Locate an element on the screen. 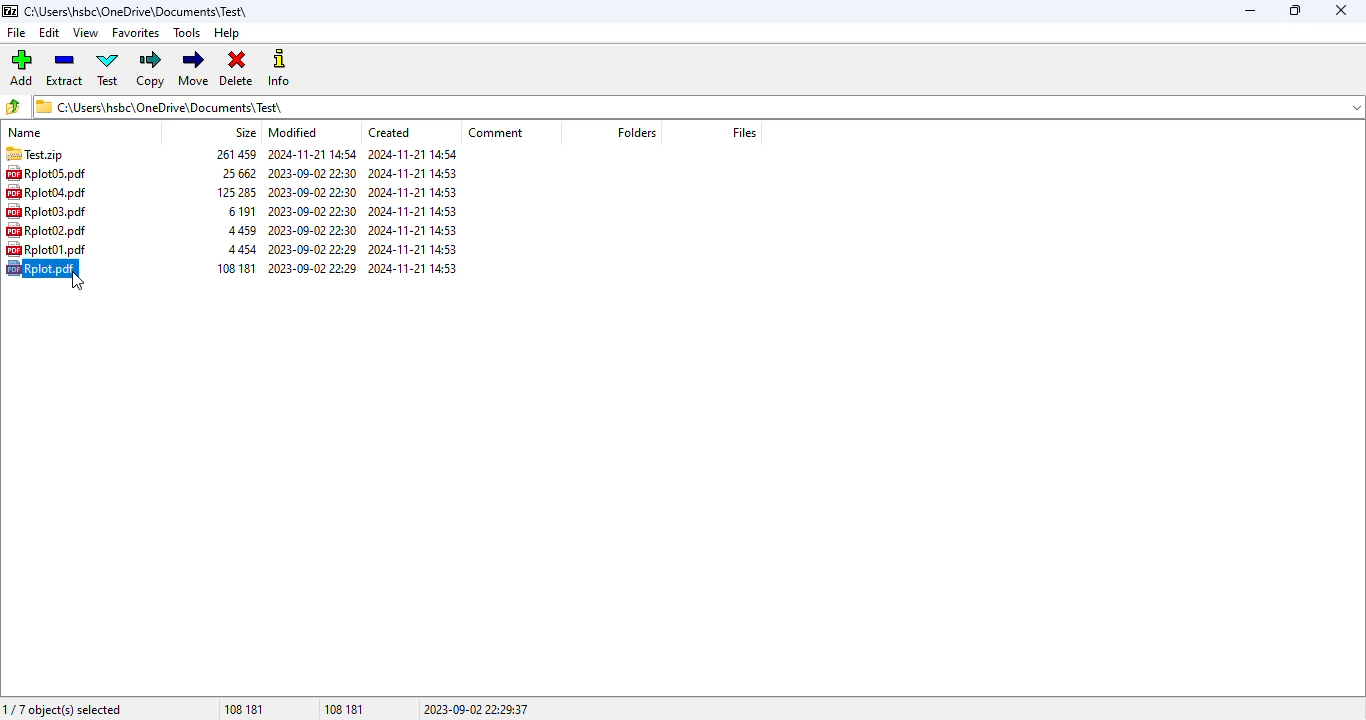 Image resolution: width=1366 pixels, height=720 pixels.  2024-11-21 14:53 is located at coordinates (415, 174).